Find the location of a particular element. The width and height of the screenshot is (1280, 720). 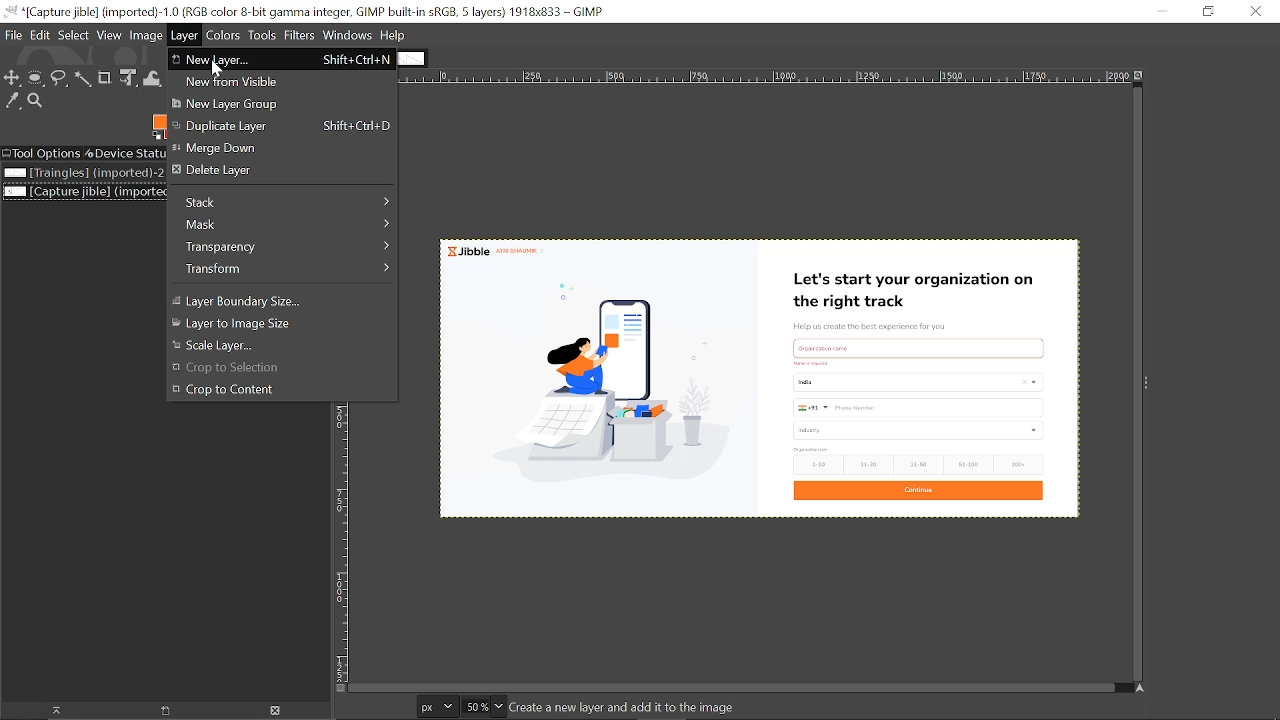

Navigate this window is located at coordinates (1137, 688).